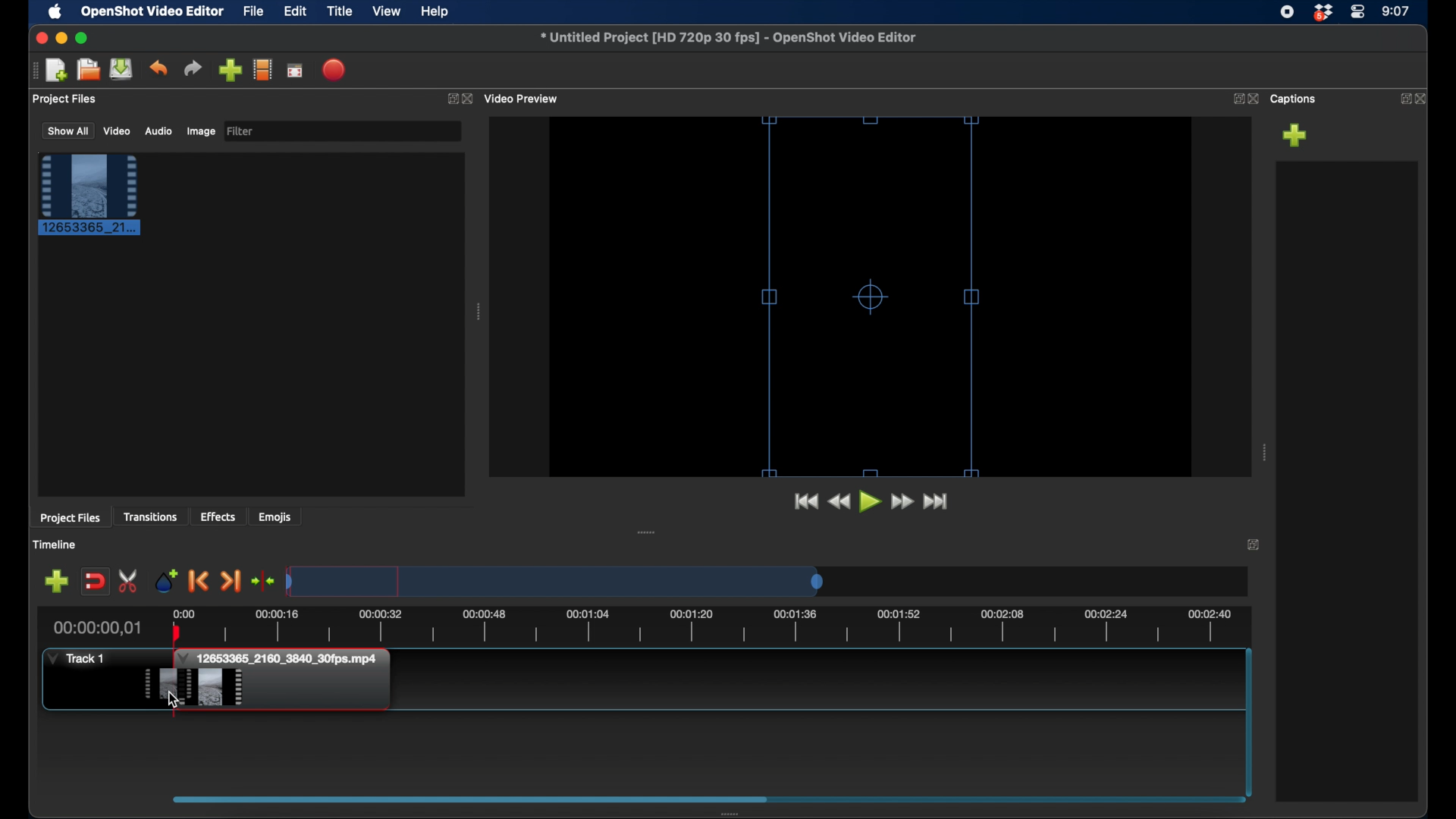 The image size is (1456, 819). I want to click on current time indicator, so click(96, 629).